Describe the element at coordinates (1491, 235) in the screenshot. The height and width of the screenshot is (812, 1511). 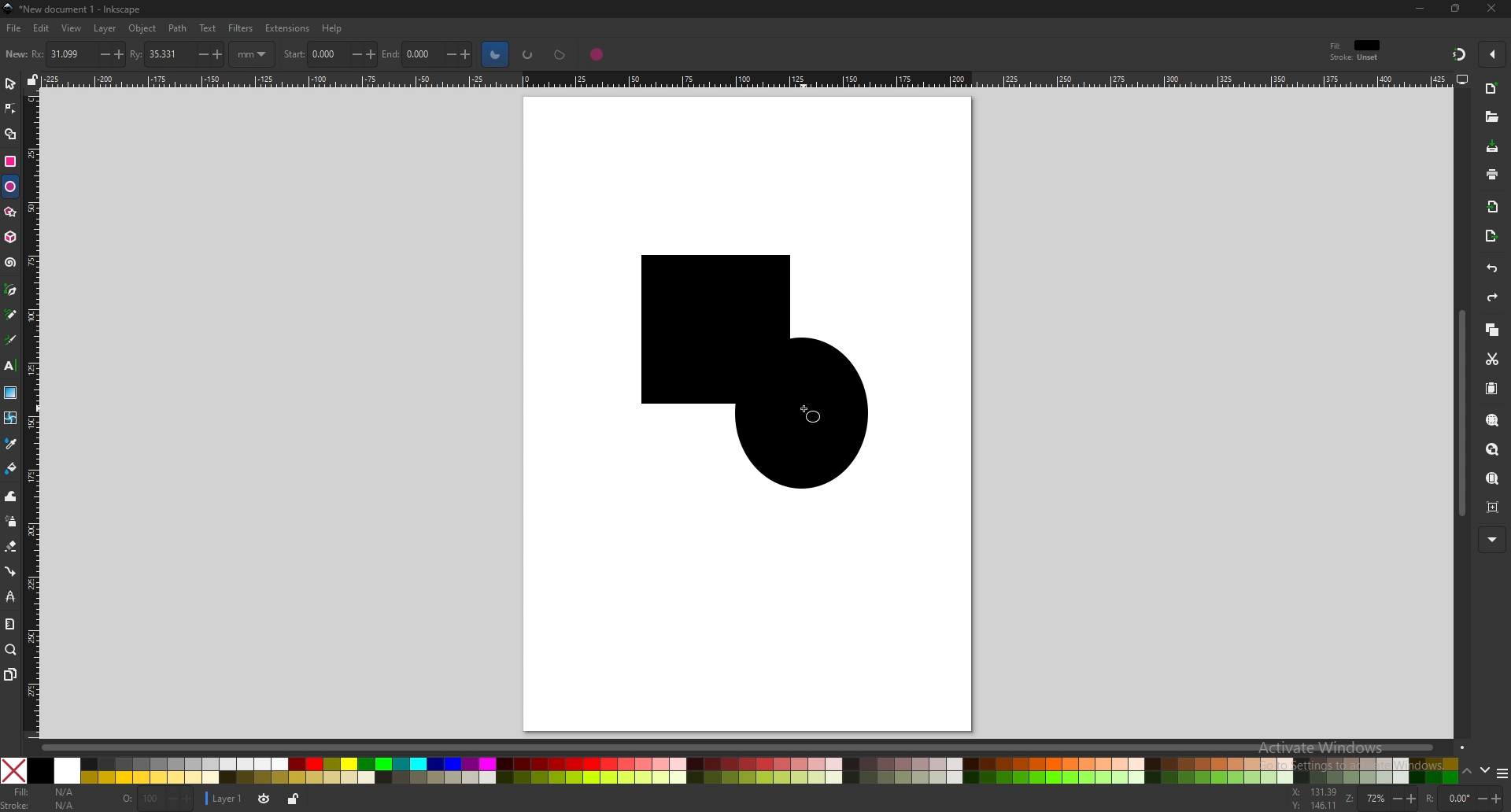
I see `export` at that location.